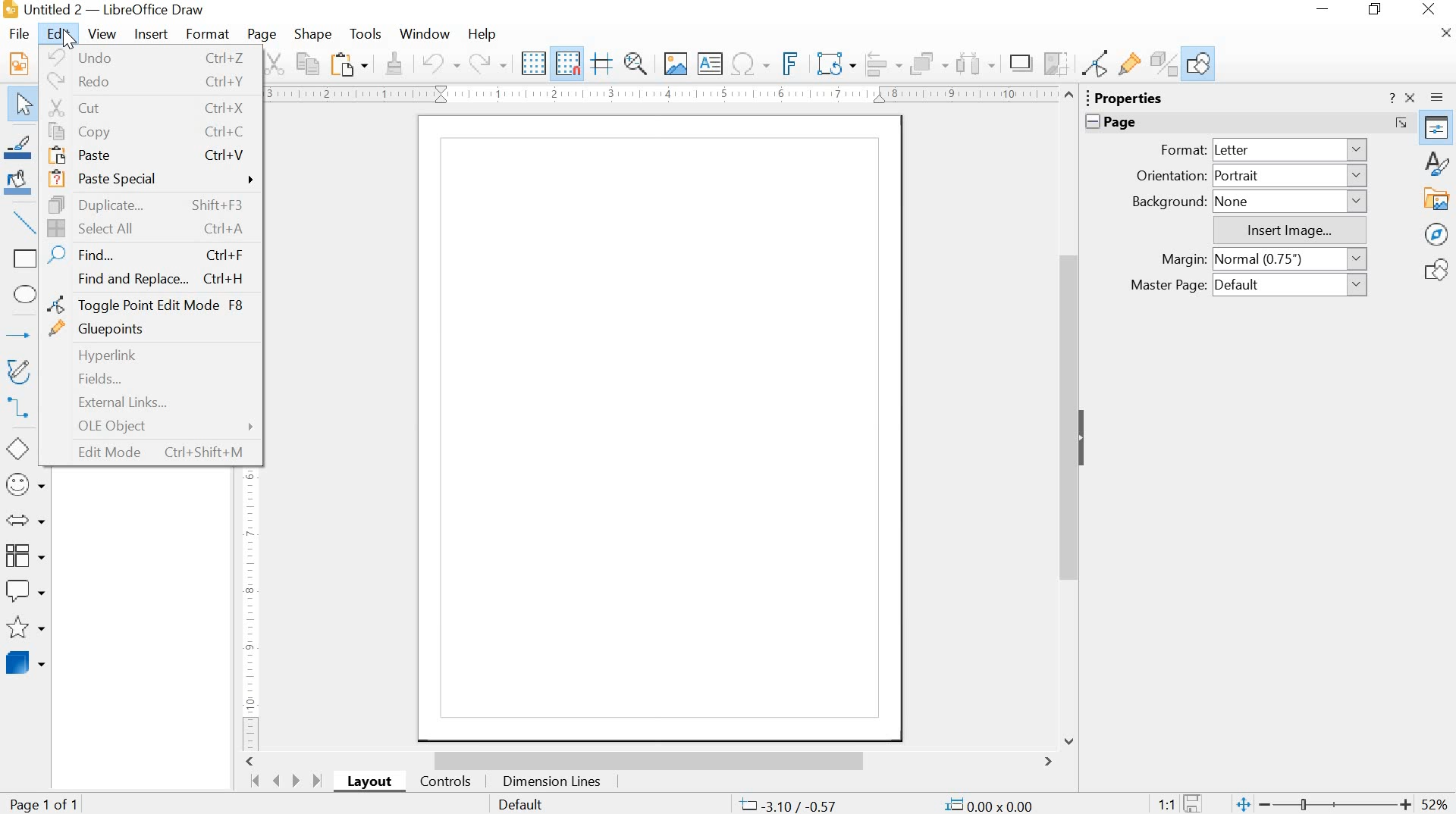  Describe the element at coordinates (1429, 9) in the screenshot. I see `close` at that location.